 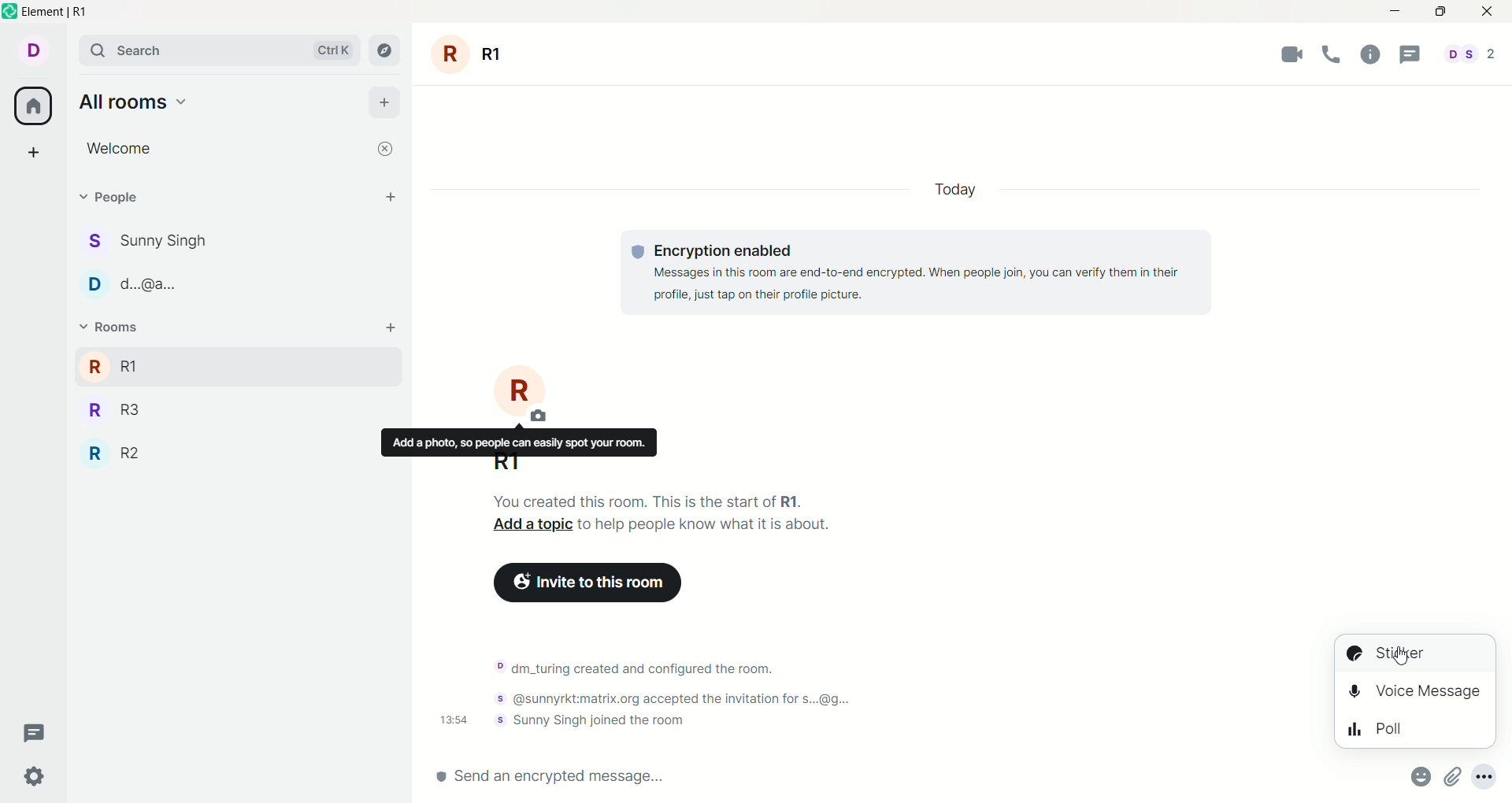 What do you see at coordinates (113, 453) in the screenshot?
I see `R2 room` at bounding box center [113, 453].